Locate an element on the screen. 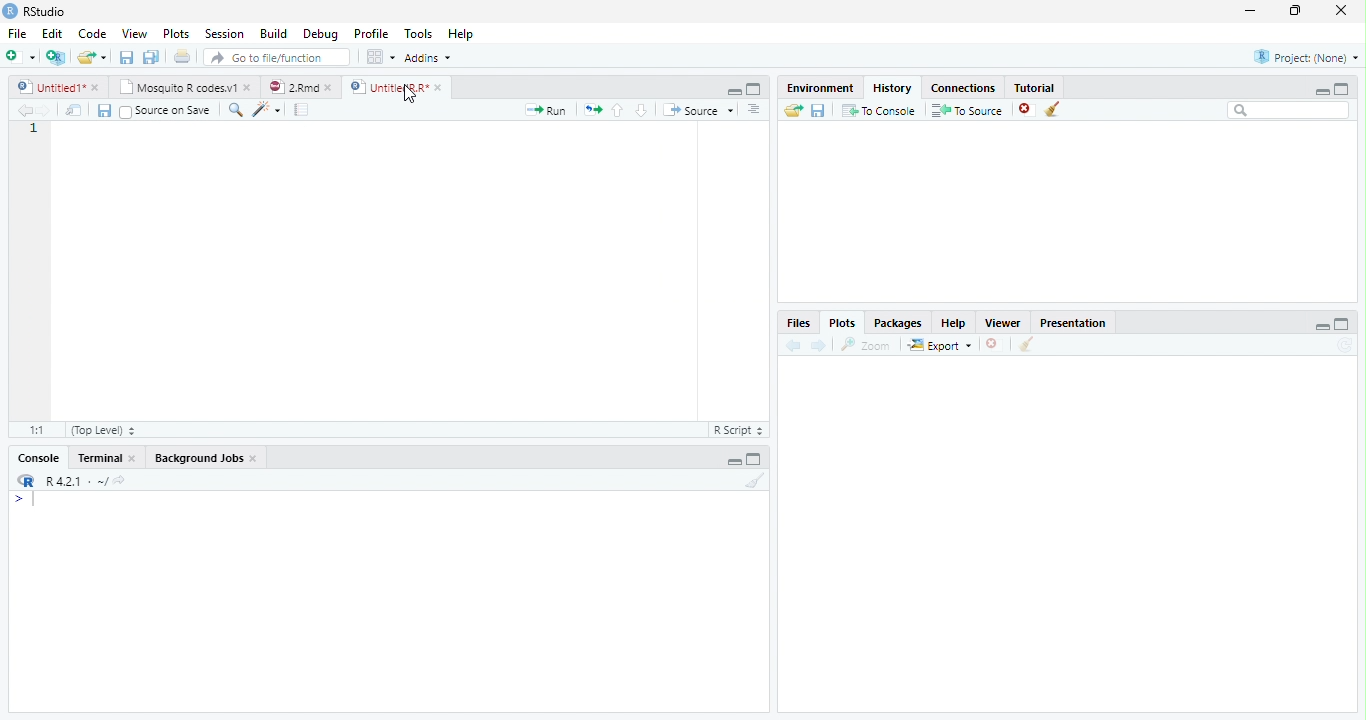 Image resolution: width=1366 pixels, height=720 pixels. Debug is located at coordinates (319, 34).